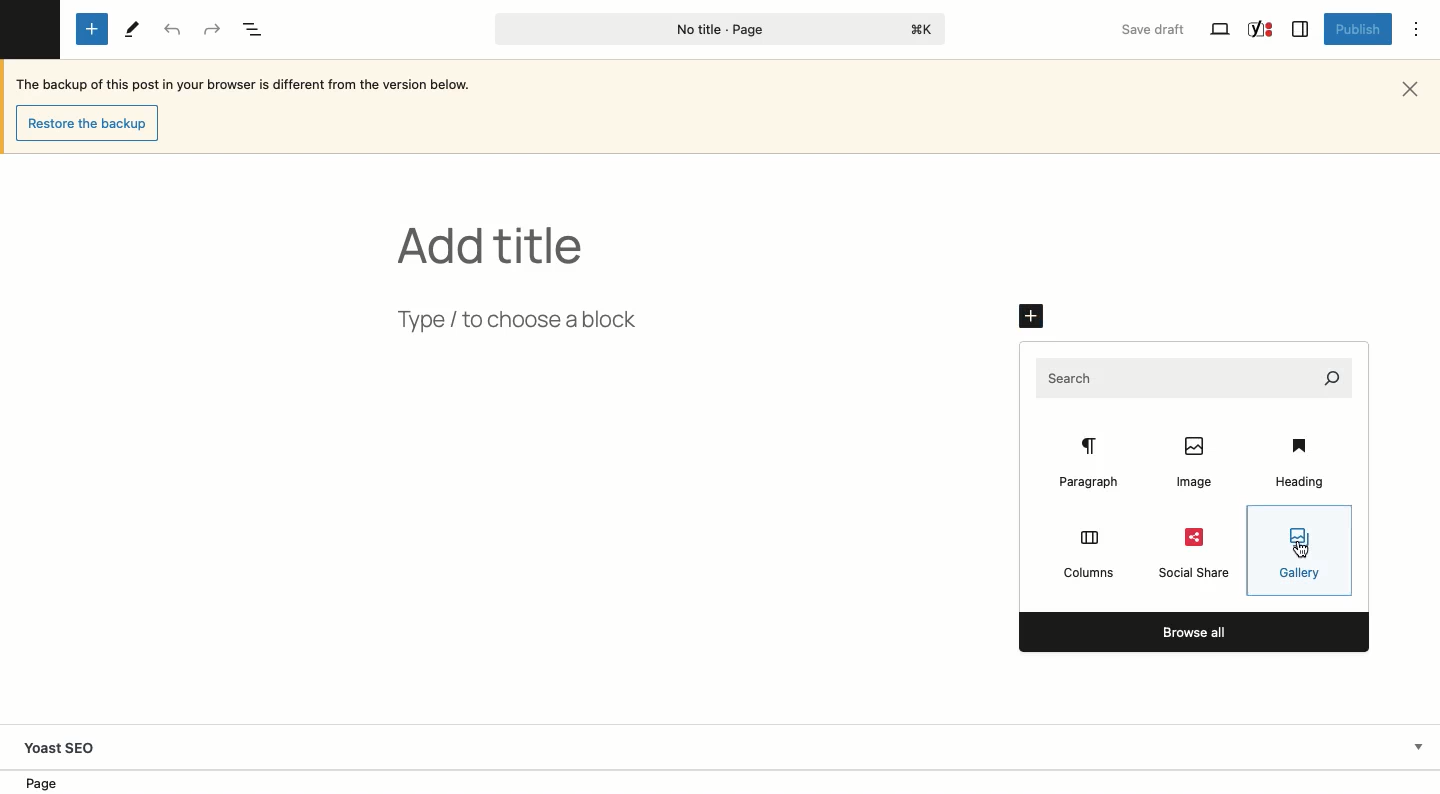 The height and width of the screenshot is (794, 1440). I want to click on Document overview, so click(256, 29).